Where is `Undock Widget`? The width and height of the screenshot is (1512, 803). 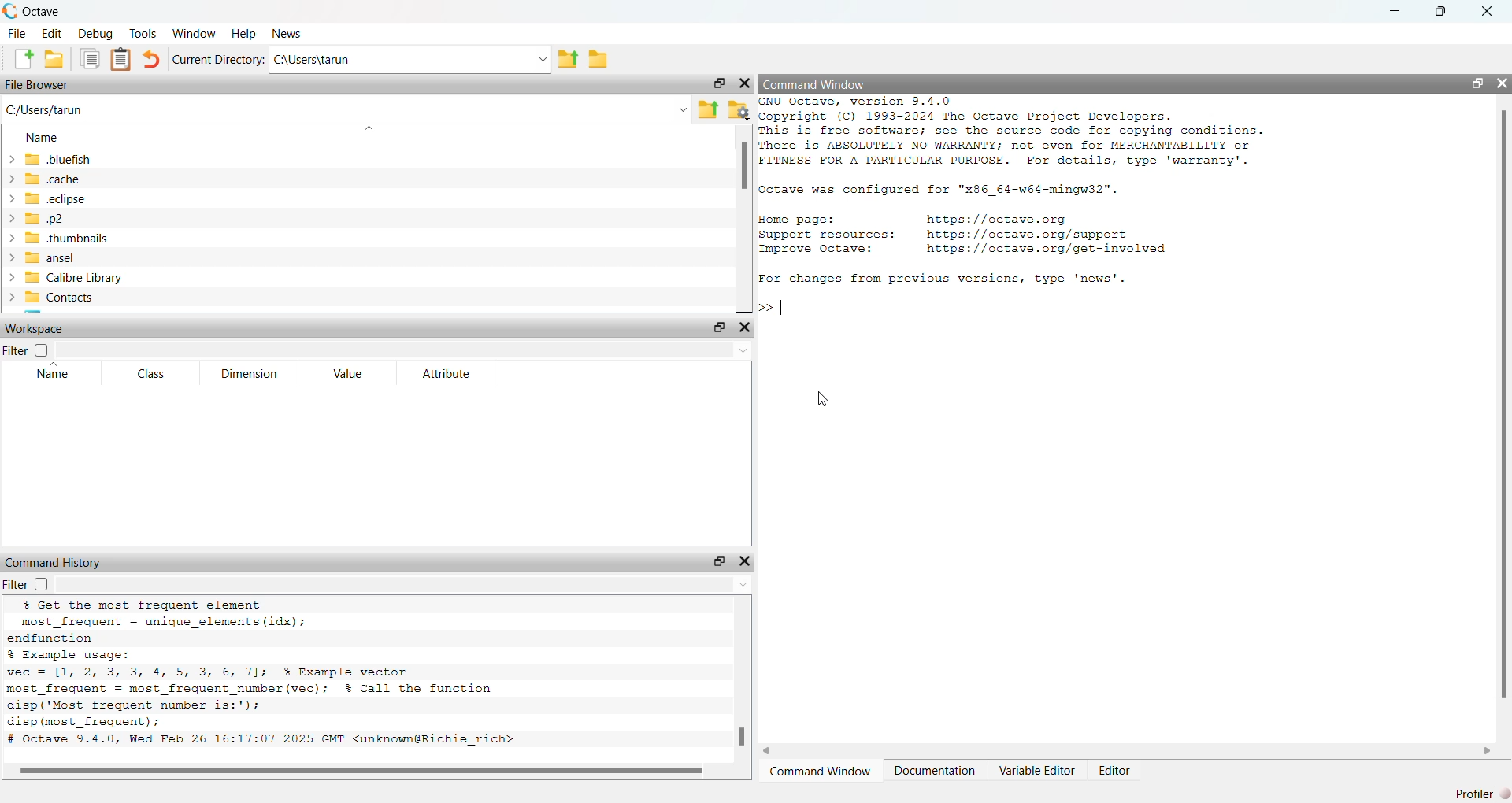 Undock Widget is located at coordinates (720, 327).